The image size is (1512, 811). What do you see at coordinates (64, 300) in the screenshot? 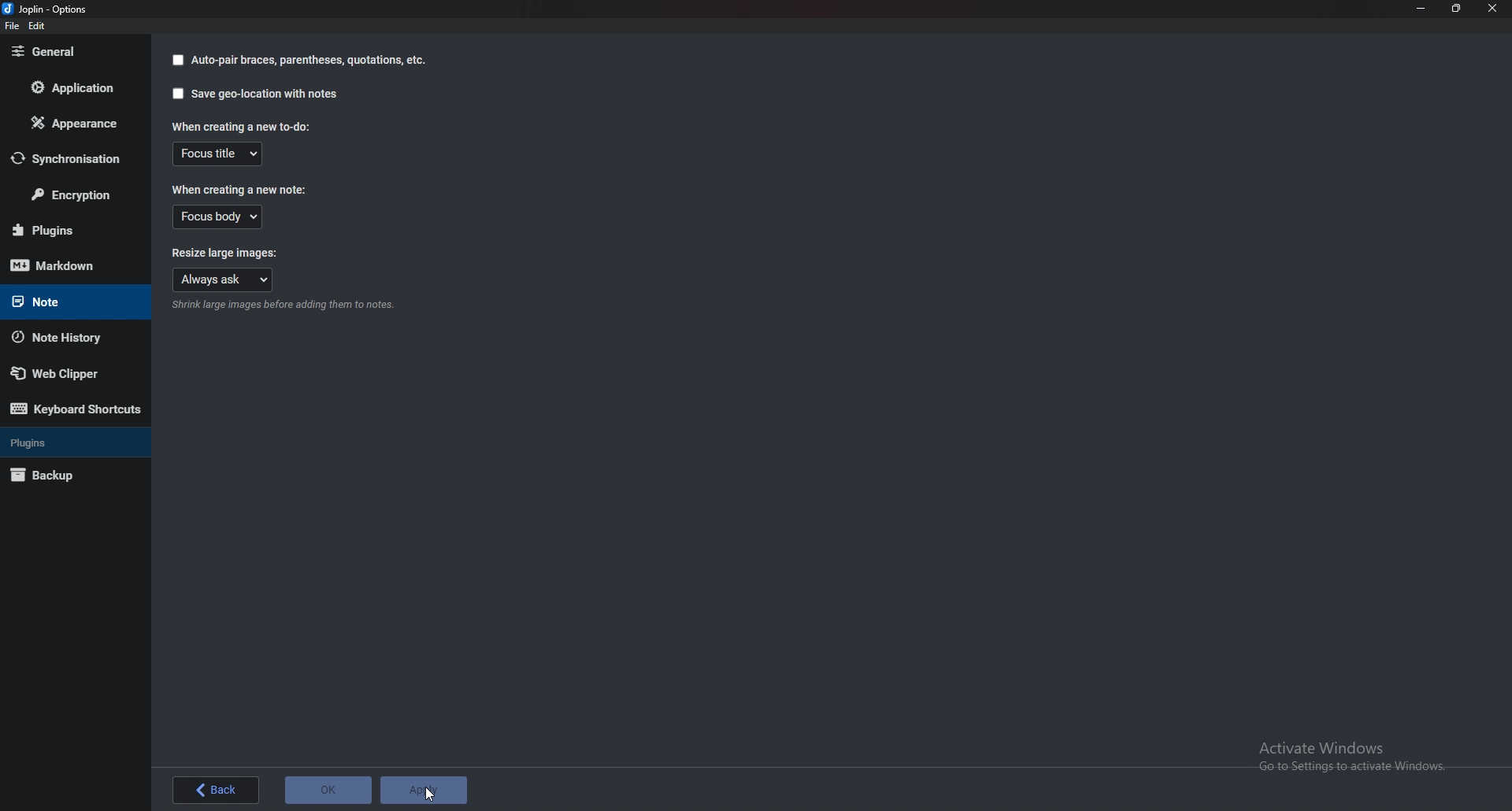
I see `note` at bounding box center [64, 300].